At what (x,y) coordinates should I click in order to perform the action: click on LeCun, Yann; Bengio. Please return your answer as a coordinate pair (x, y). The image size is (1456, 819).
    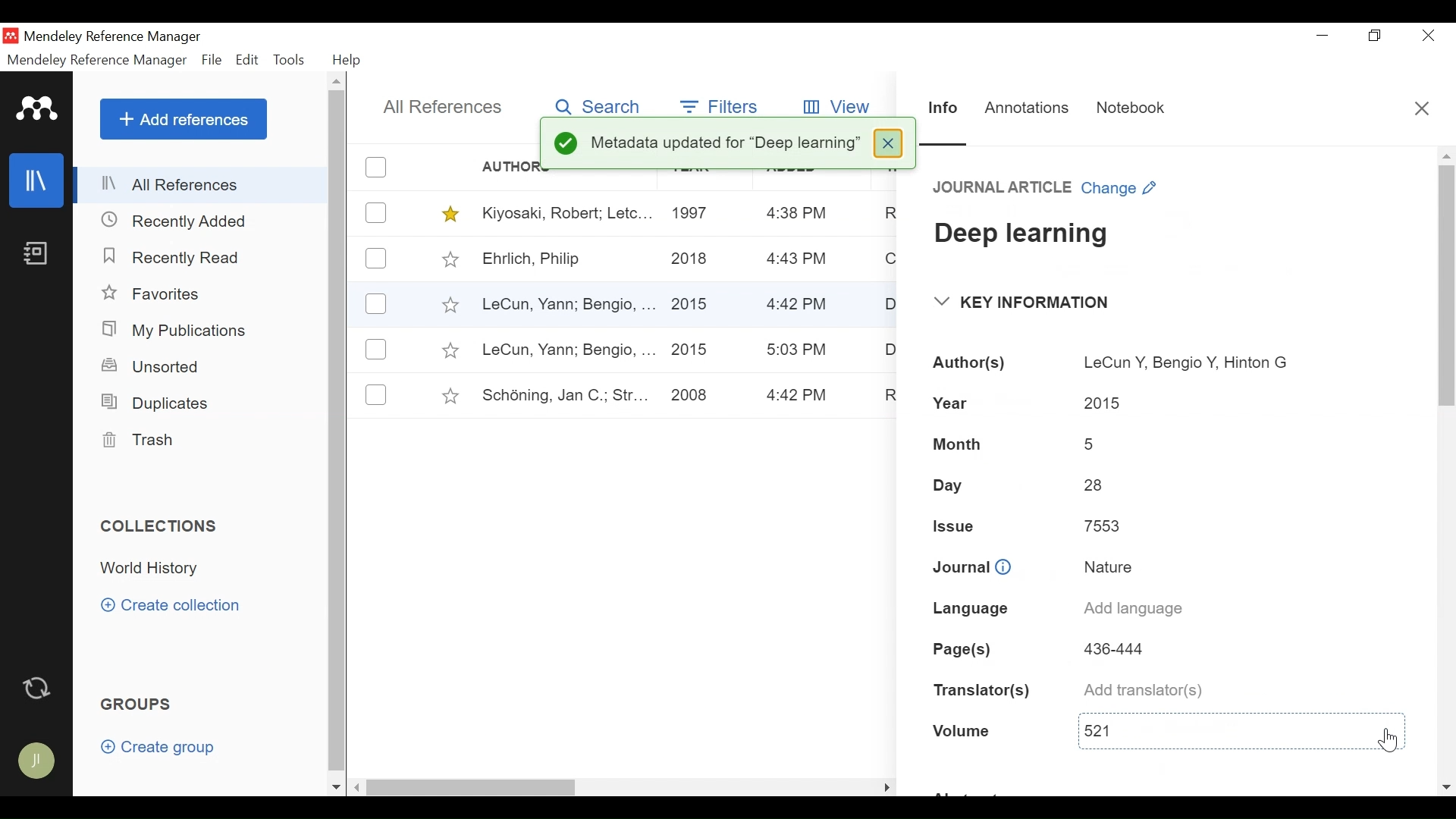
    Looking at the image, I should click on (567, 350).